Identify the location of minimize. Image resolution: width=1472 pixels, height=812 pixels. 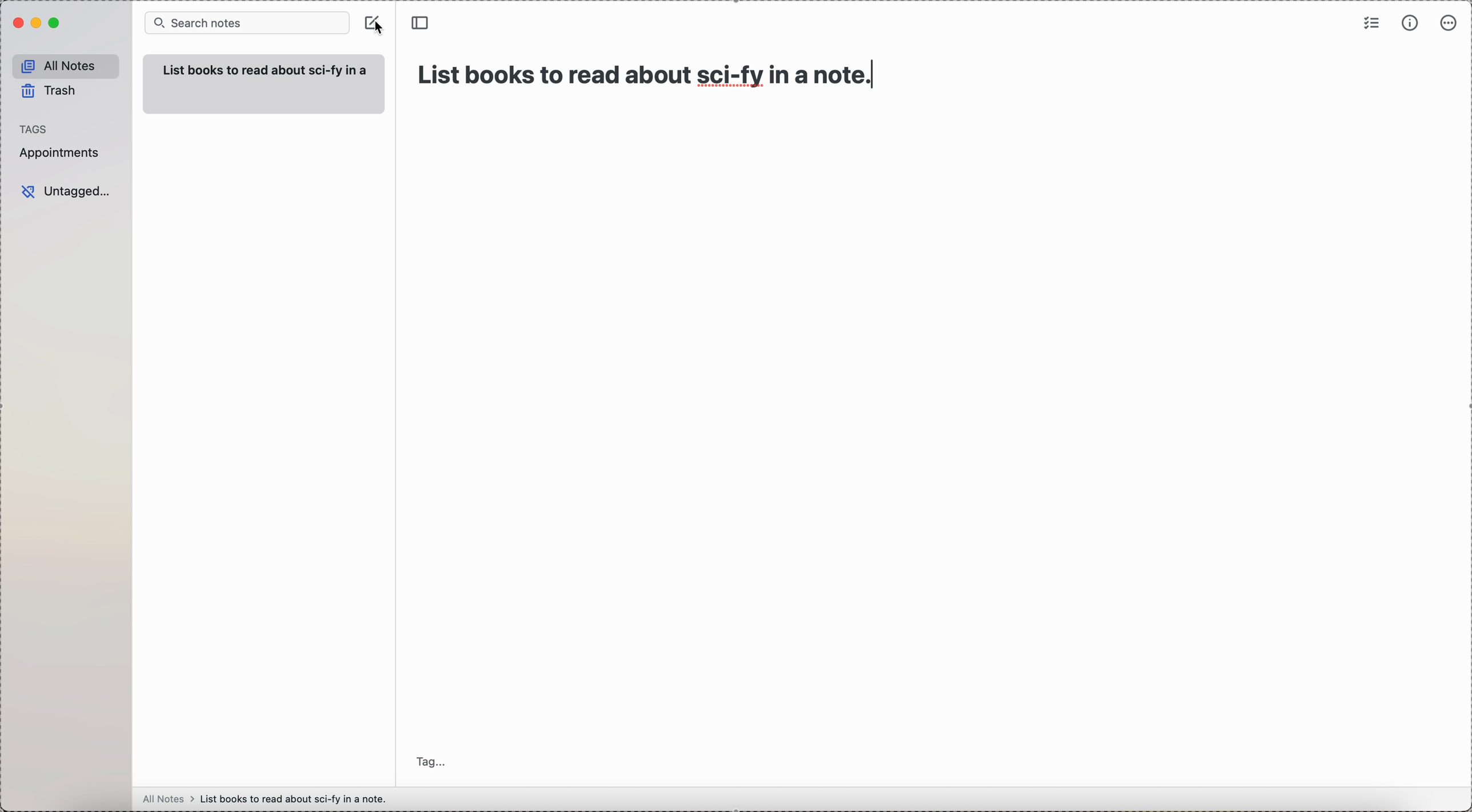
(34, 23).